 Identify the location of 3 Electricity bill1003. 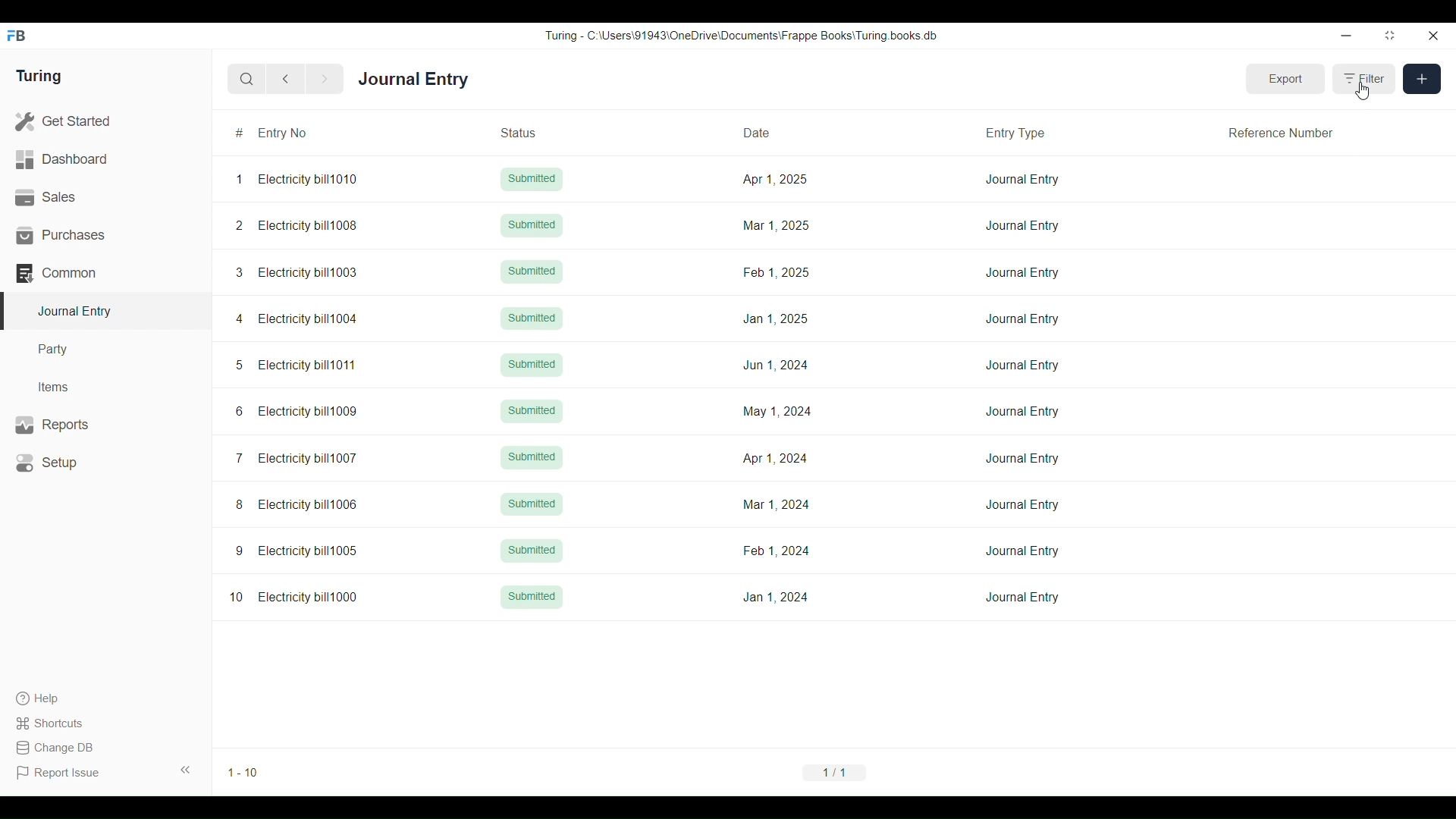
(297, 272).